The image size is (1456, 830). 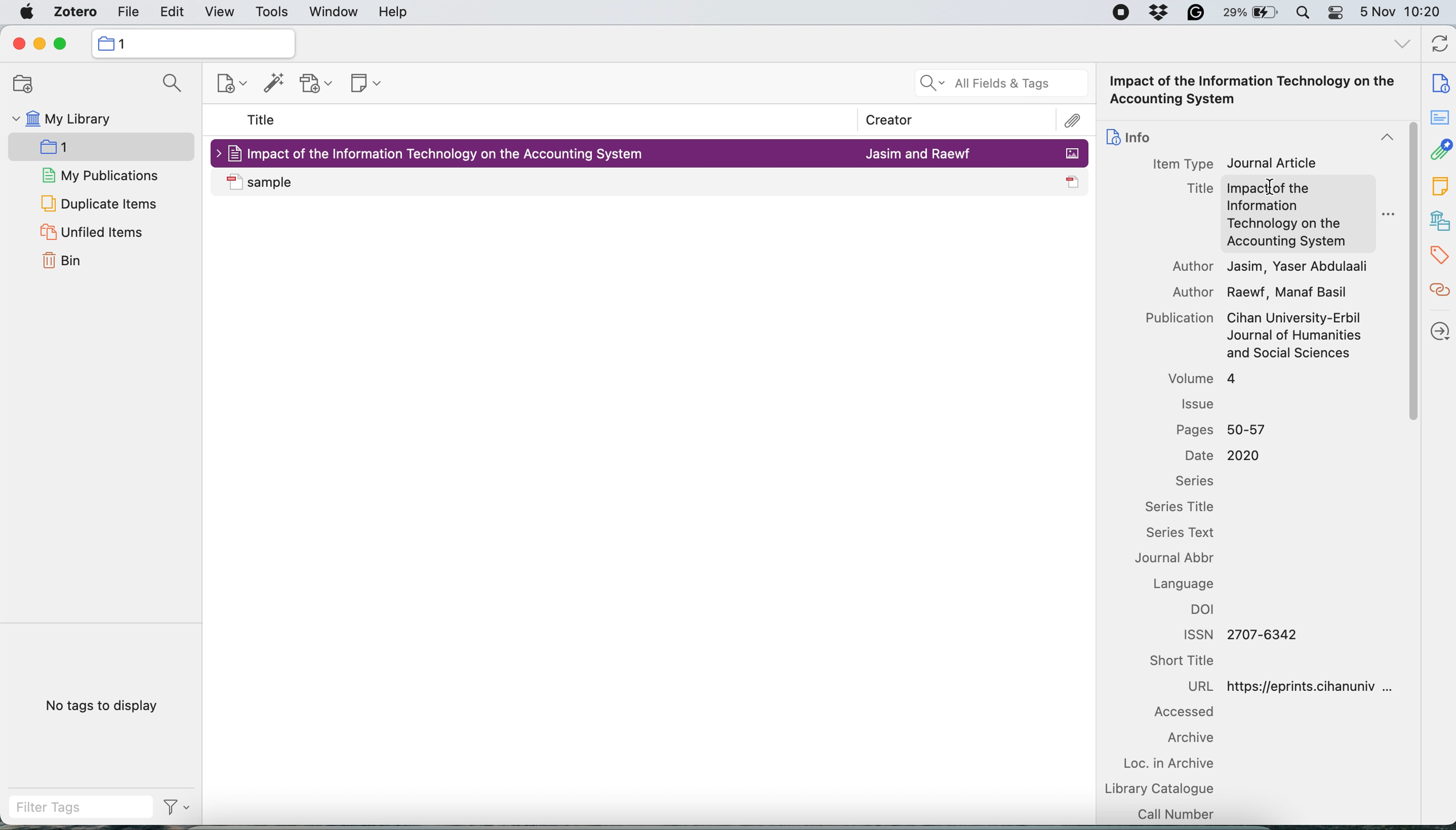 What do you see at coordinates (1252, 13) in the screenshot?
I see `battery` at bounding box center [1252, 13].